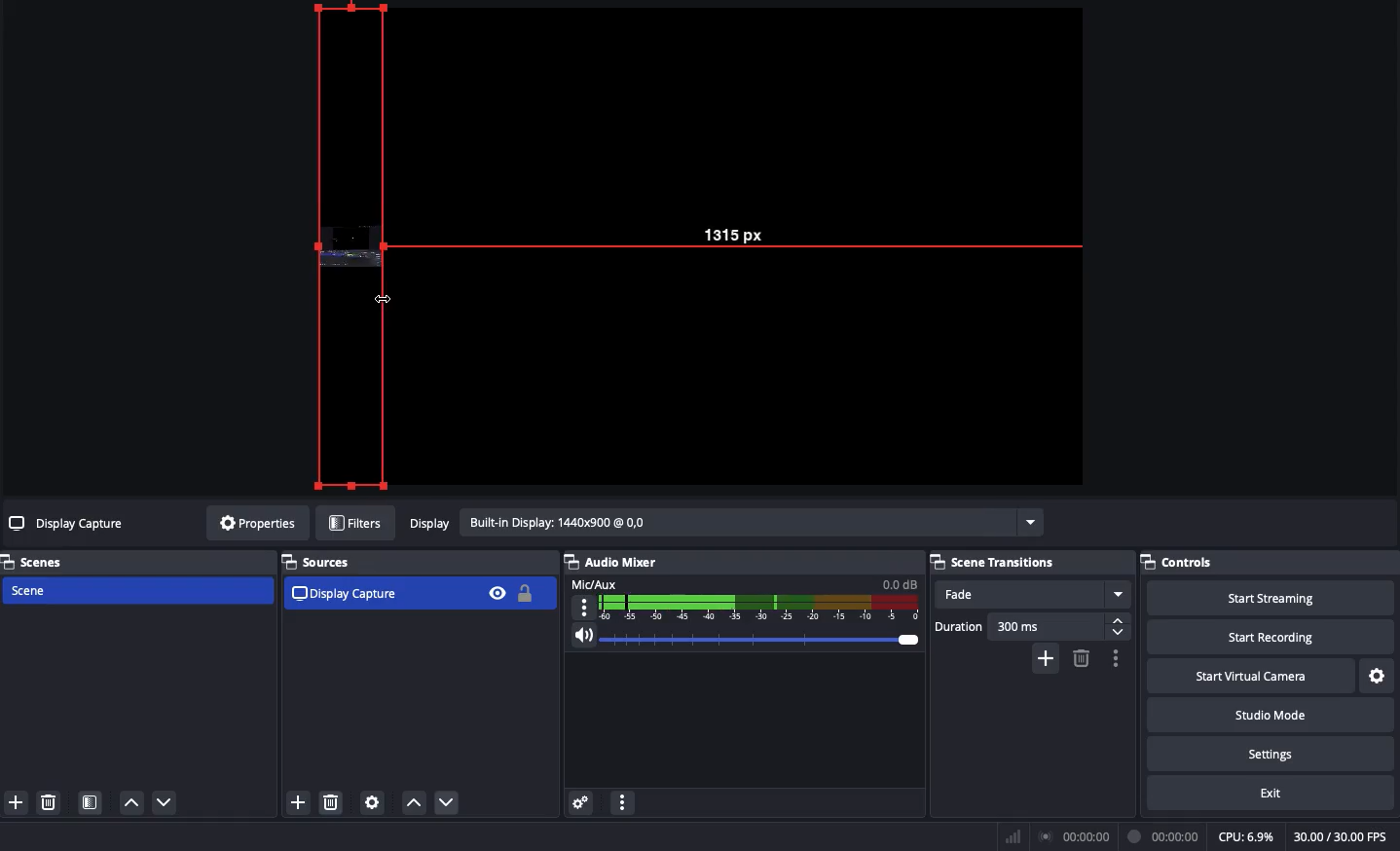  Describe the element at coordinates (356, 524) in the screenshot. I see `Filters` at that location.